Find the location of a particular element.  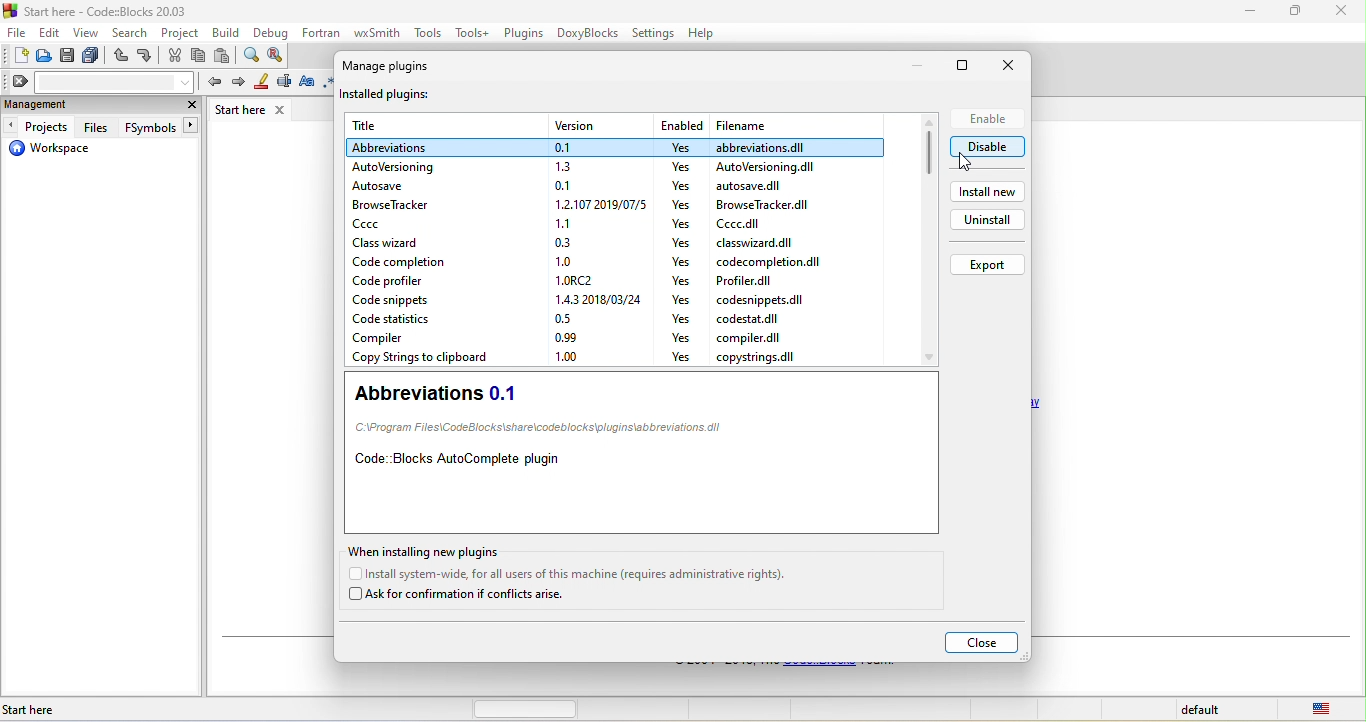

version  is located at coordinates (567, 337).